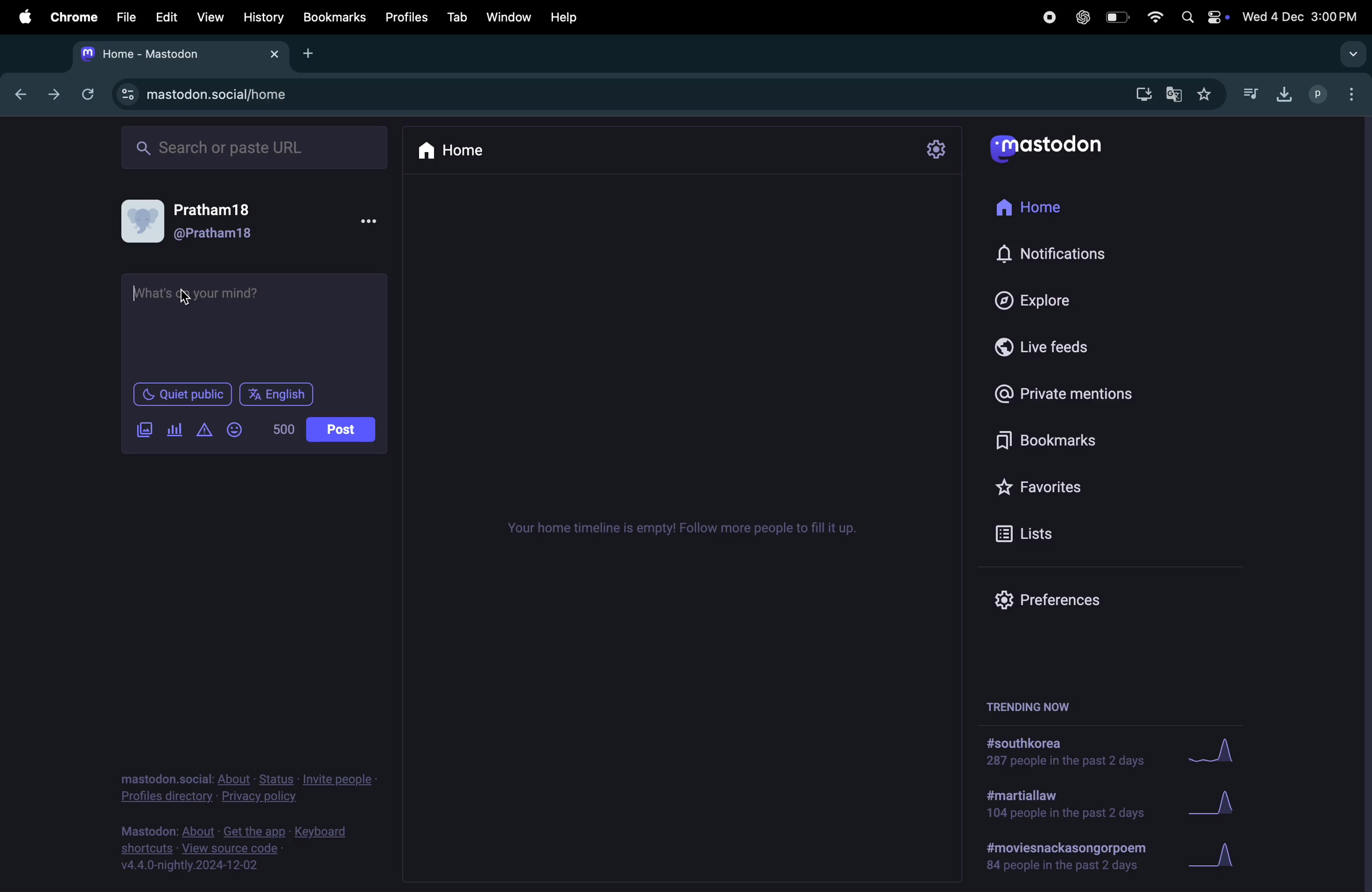 The image size is (1372, 892). I want to click on favourites, so click(1207, 92).